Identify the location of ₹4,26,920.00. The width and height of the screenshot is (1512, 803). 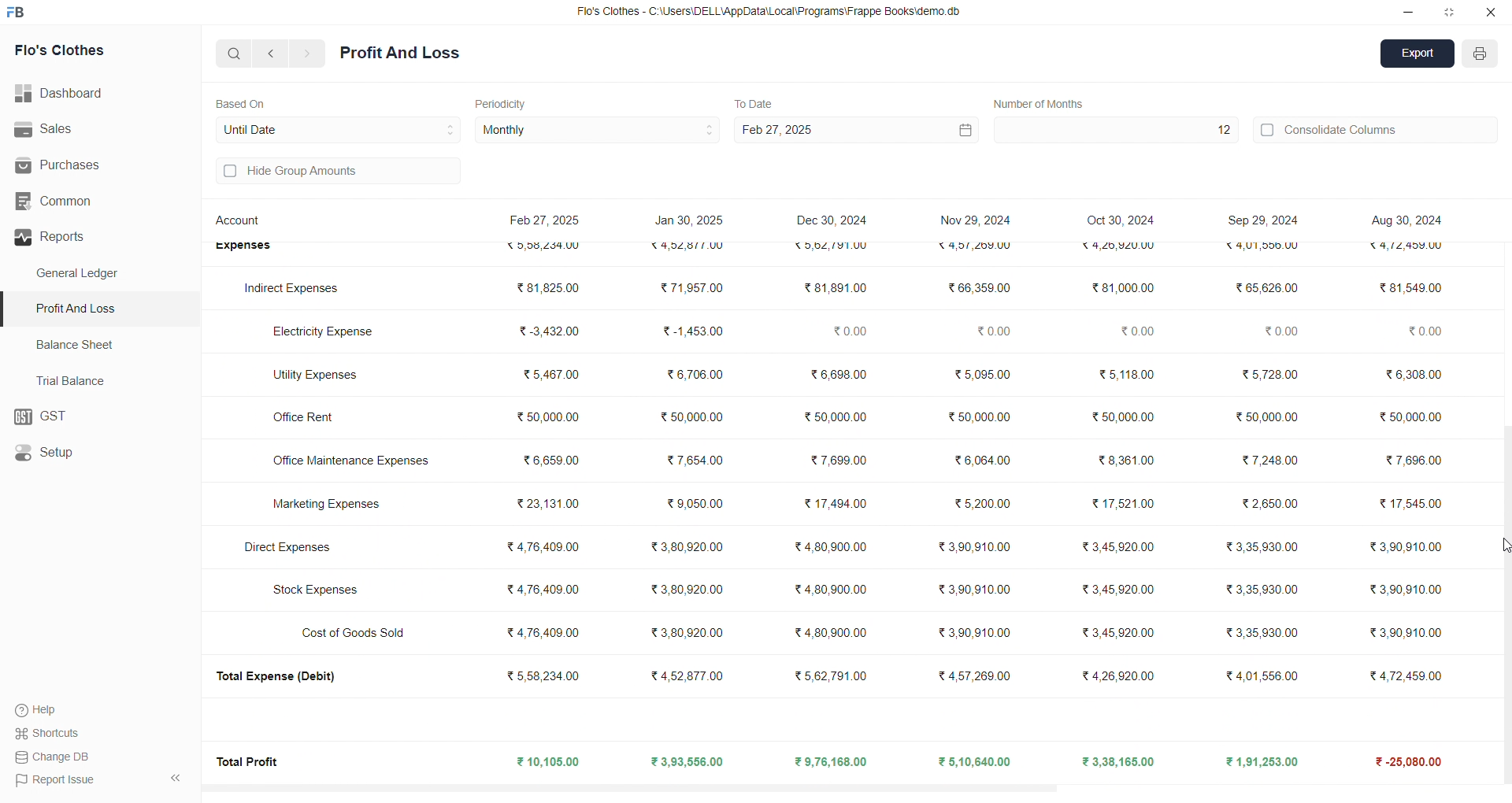
(1118, 674).